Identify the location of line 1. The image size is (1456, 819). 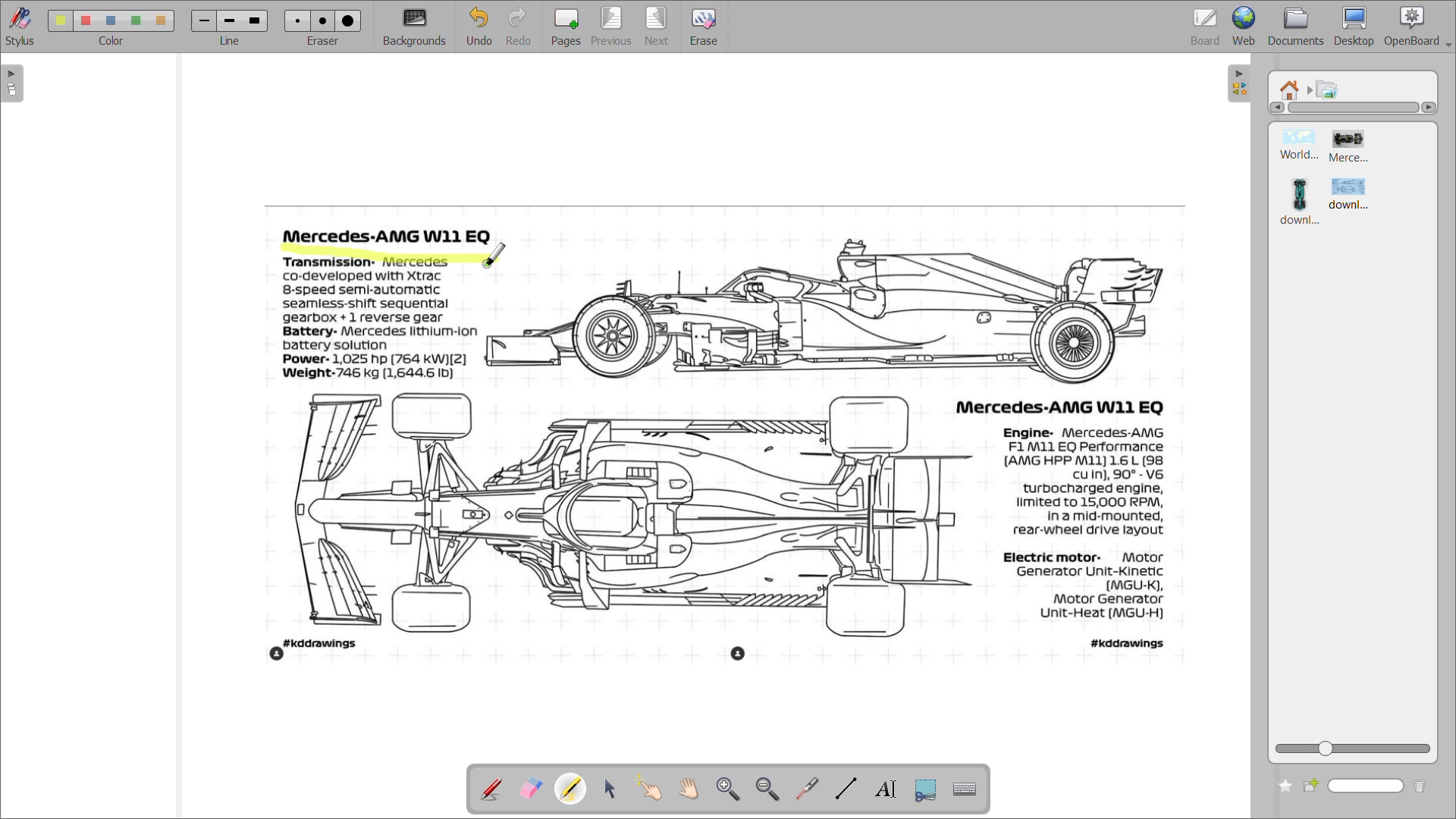
(203, 20).